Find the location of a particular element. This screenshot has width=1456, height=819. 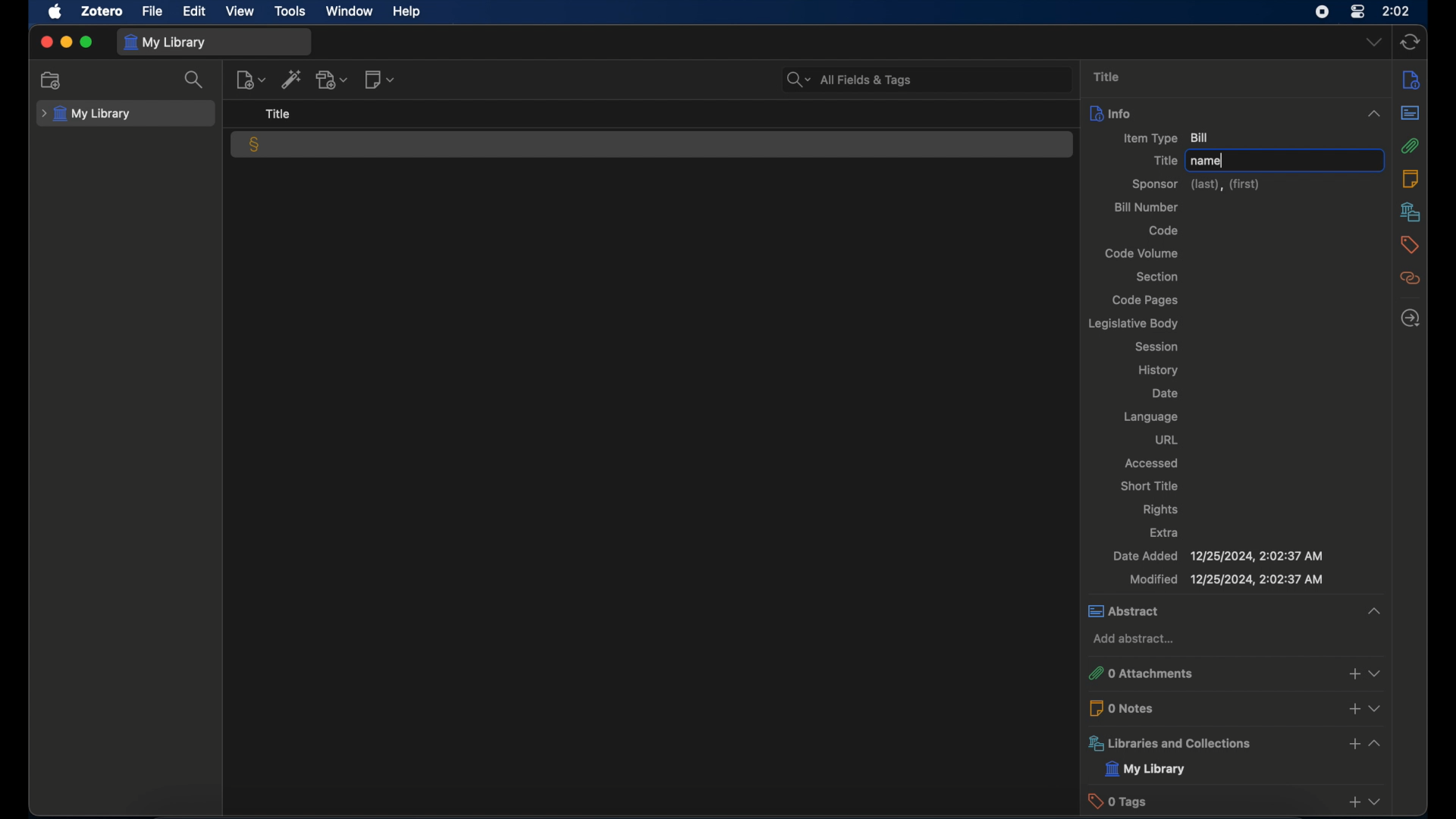

attachments is located at coordinates (1410, 146).